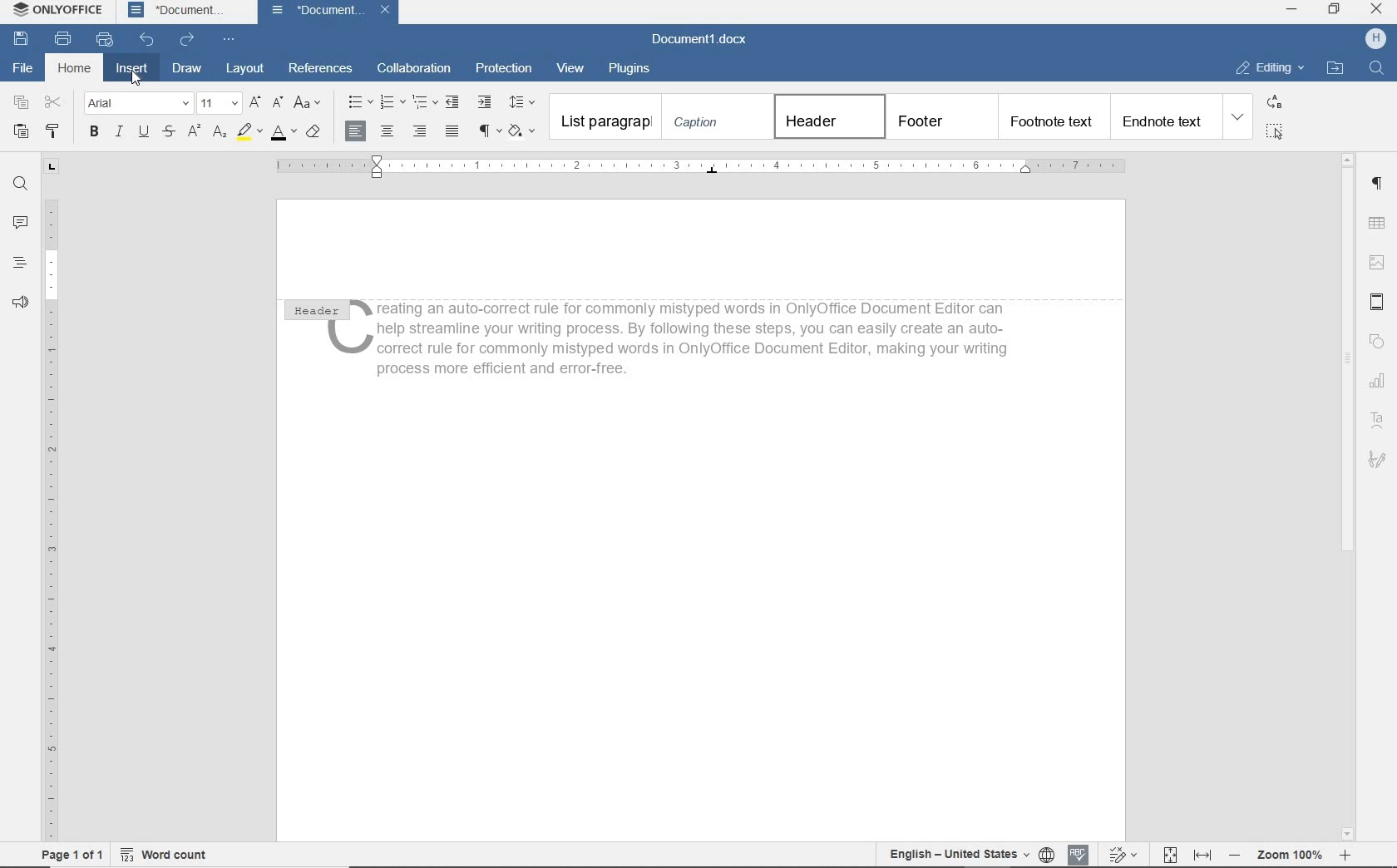 The image size is (1397, 868). Describe the element at coordinates (1276, 104) in the screenshot. I see `REPLACE` at that location.